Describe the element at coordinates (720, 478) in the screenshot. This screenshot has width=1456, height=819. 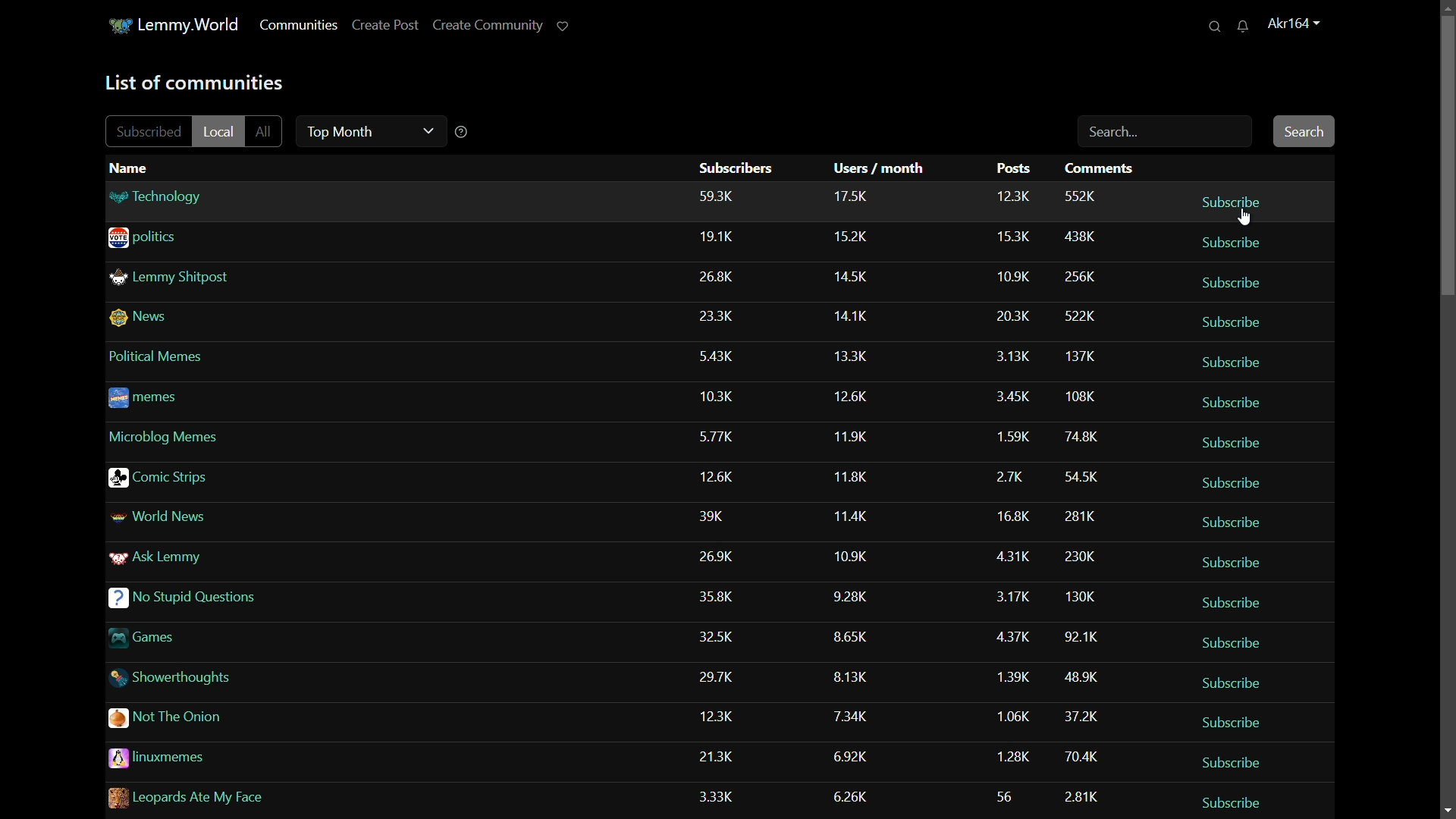
I see `subscribers` at that location.